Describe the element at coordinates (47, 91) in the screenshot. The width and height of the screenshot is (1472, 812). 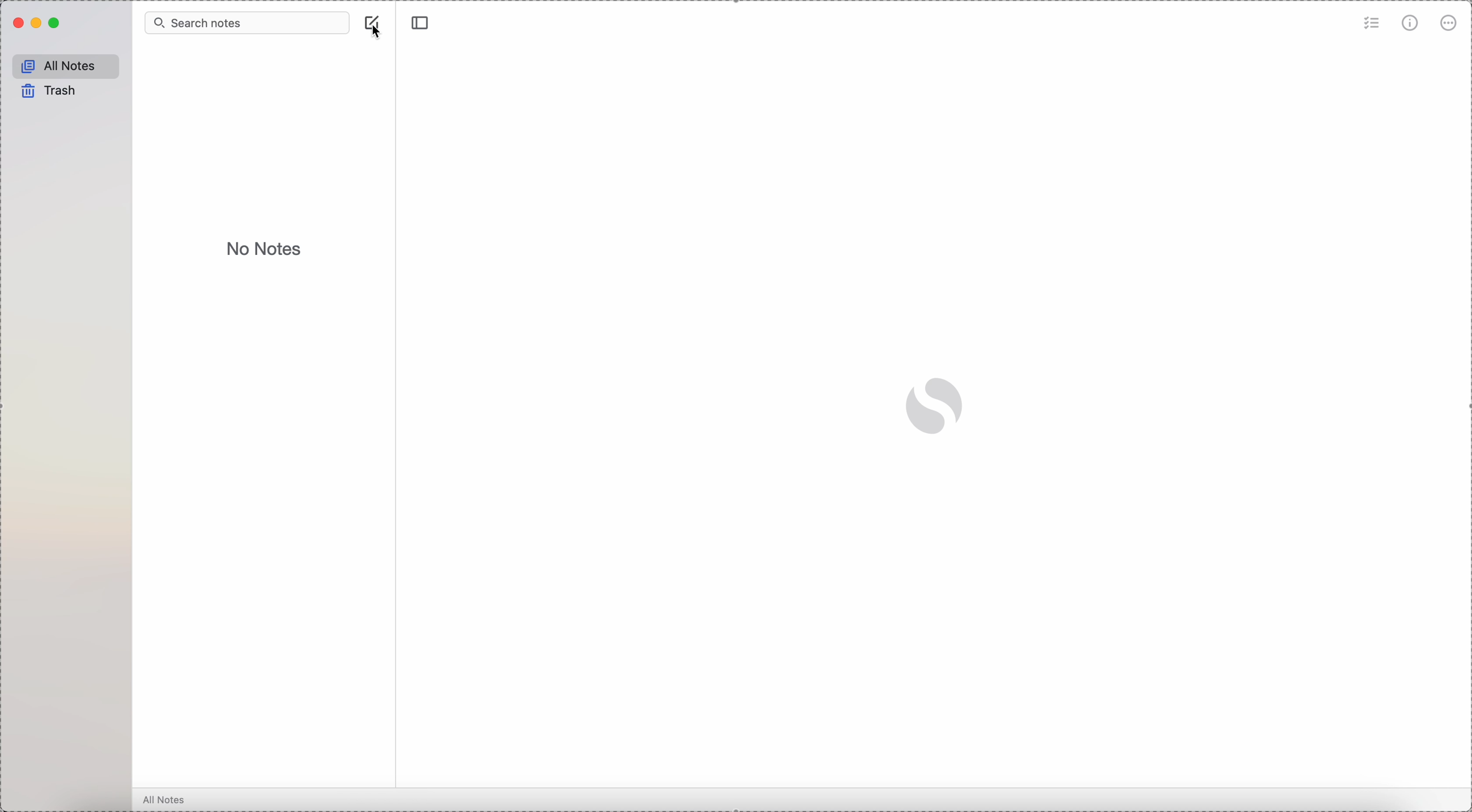
I see `trash` at that location.